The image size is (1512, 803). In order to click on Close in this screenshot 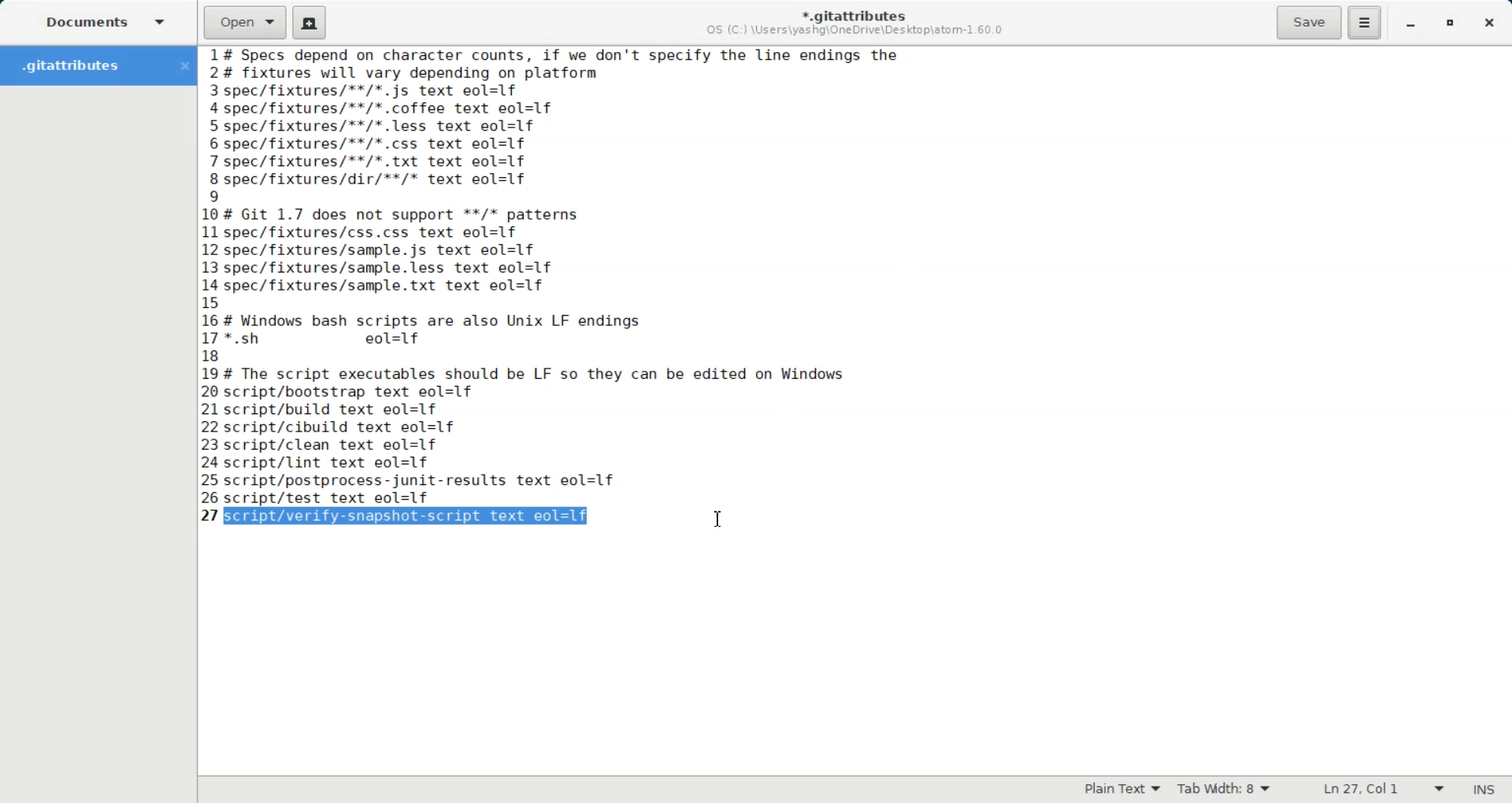, I will do `click(1489, 24)`.